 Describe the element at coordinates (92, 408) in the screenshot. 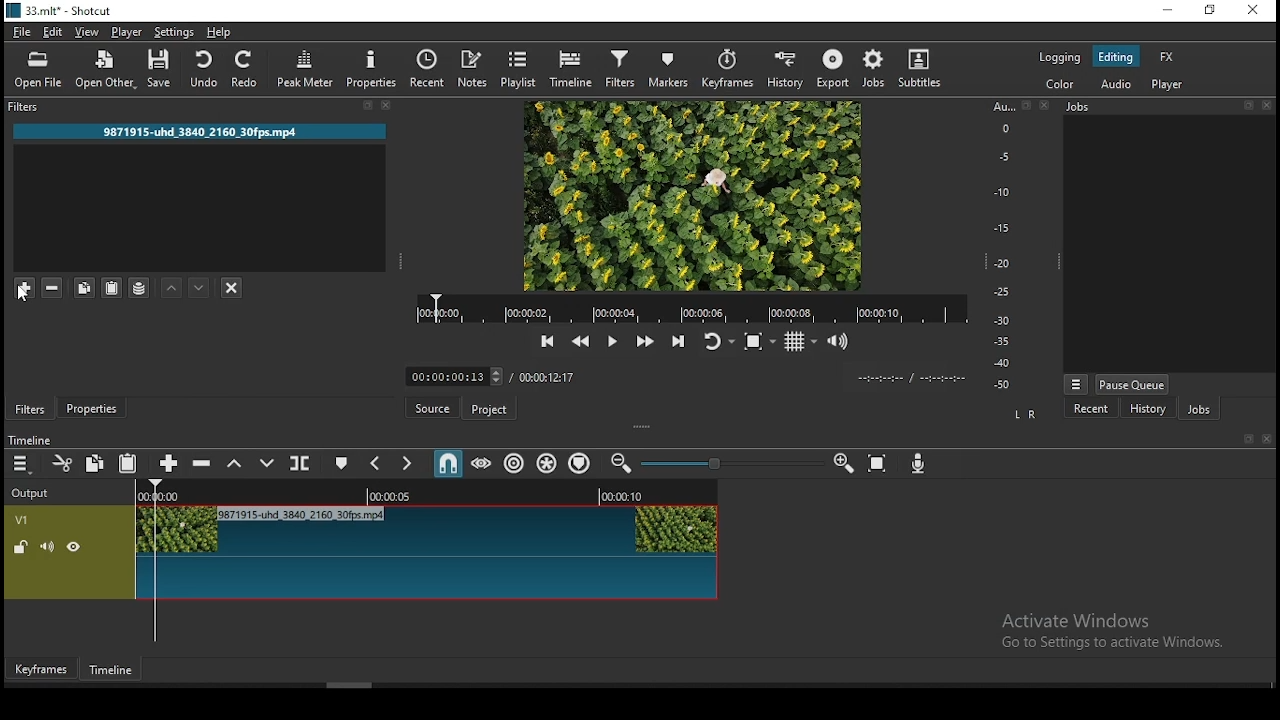

I see `properties` at that location.